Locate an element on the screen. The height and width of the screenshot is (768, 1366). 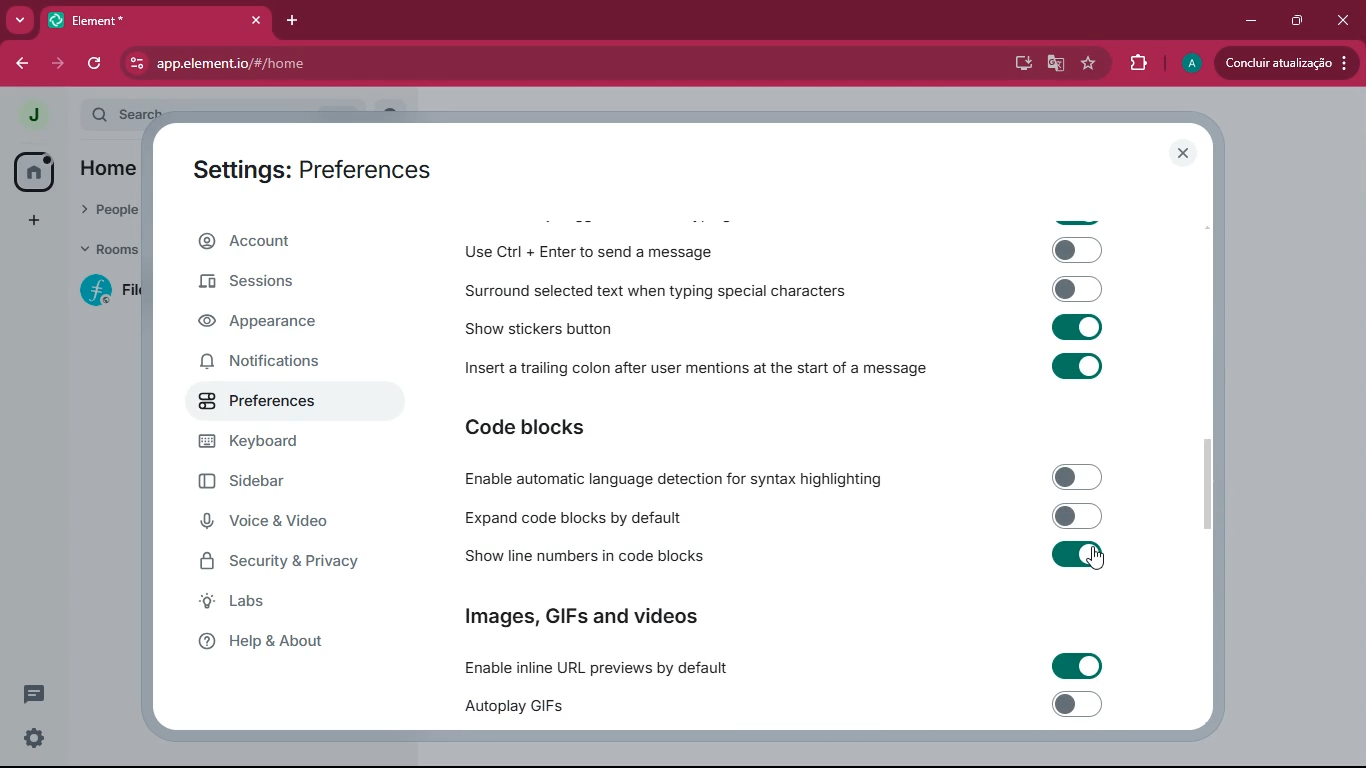
Enable automatic language detection for syntax highlighting is located at coordinates (777, 478).